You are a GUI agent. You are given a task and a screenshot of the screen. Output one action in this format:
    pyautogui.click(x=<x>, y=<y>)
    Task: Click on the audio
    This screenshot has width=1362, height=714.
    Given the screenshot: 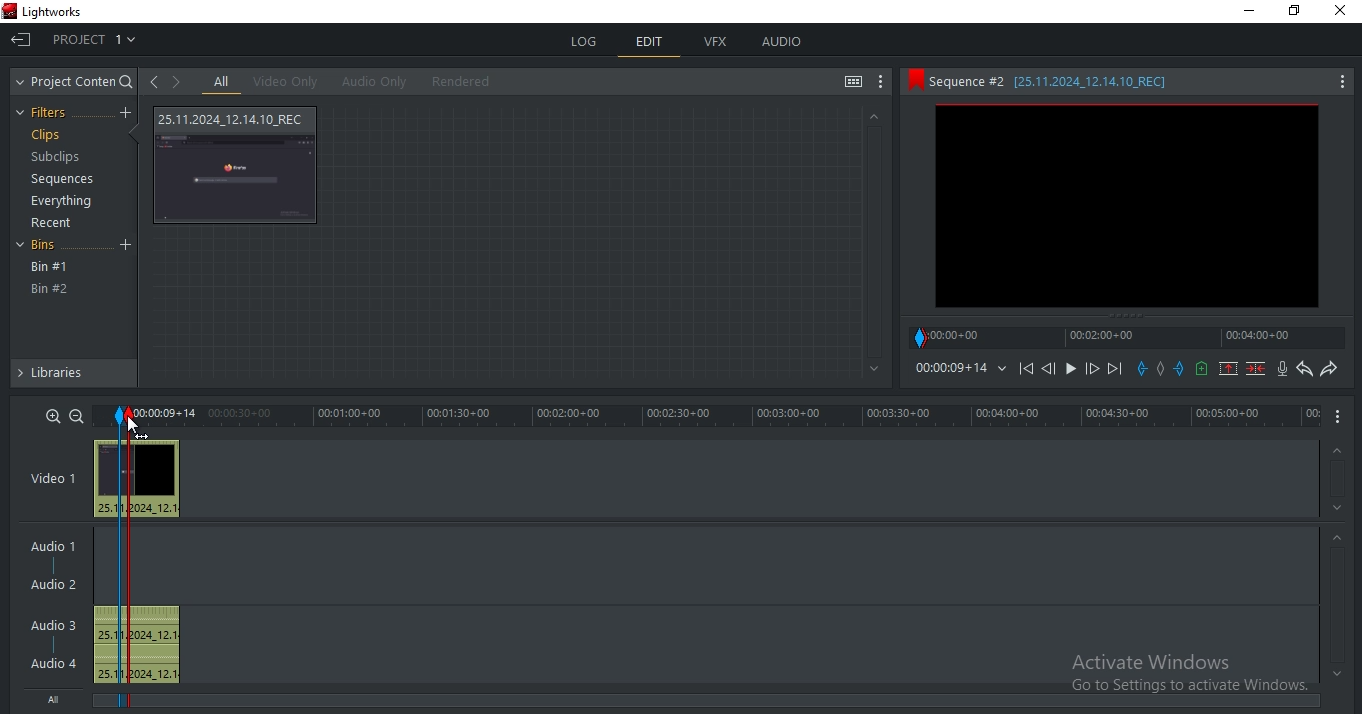 What is the action you would take?
    pyautogui.click(x=141, y=644)
    